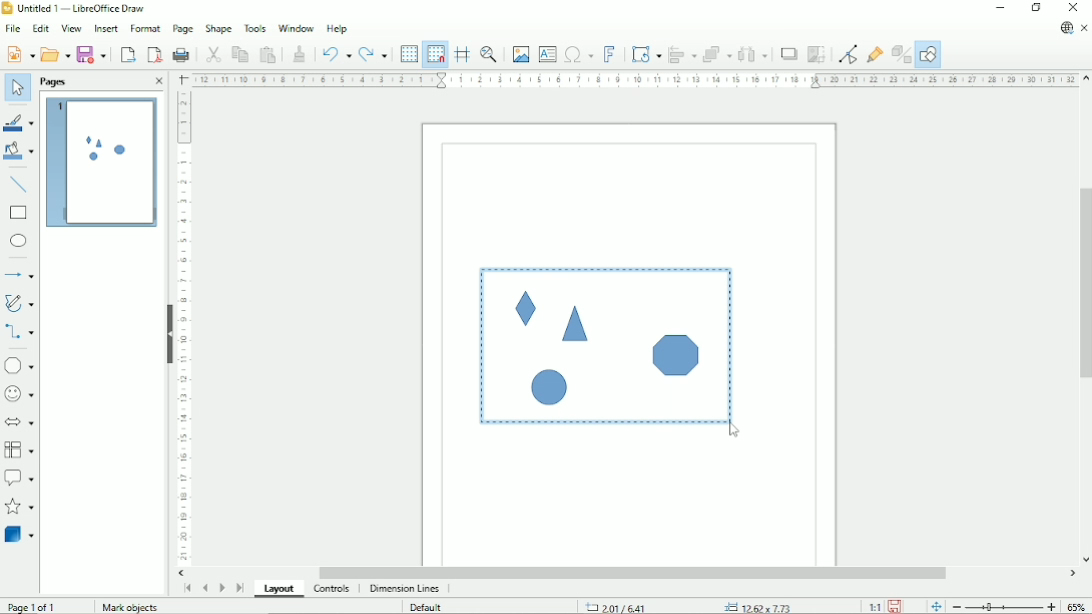  Describe the element at coordinates (634, 79) in the screenshot. I see `Horizontal scale` at that location.